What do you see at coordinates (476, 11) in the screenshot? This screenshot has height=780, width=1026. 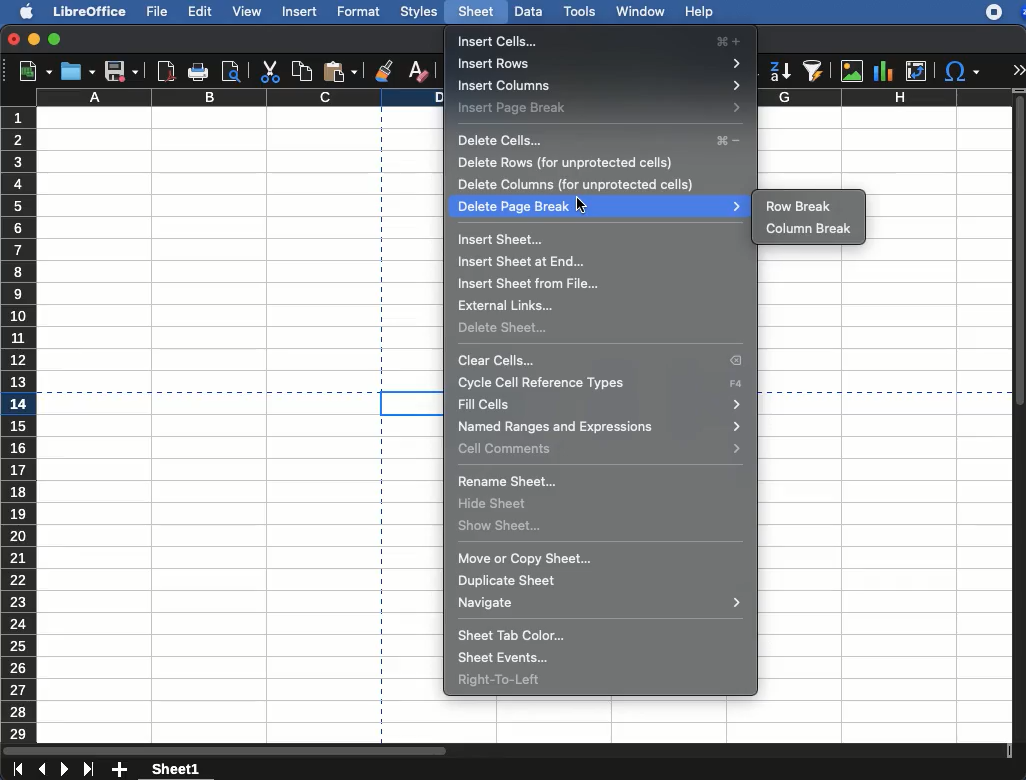 I see `sheet` at bounding box center [476, 11].